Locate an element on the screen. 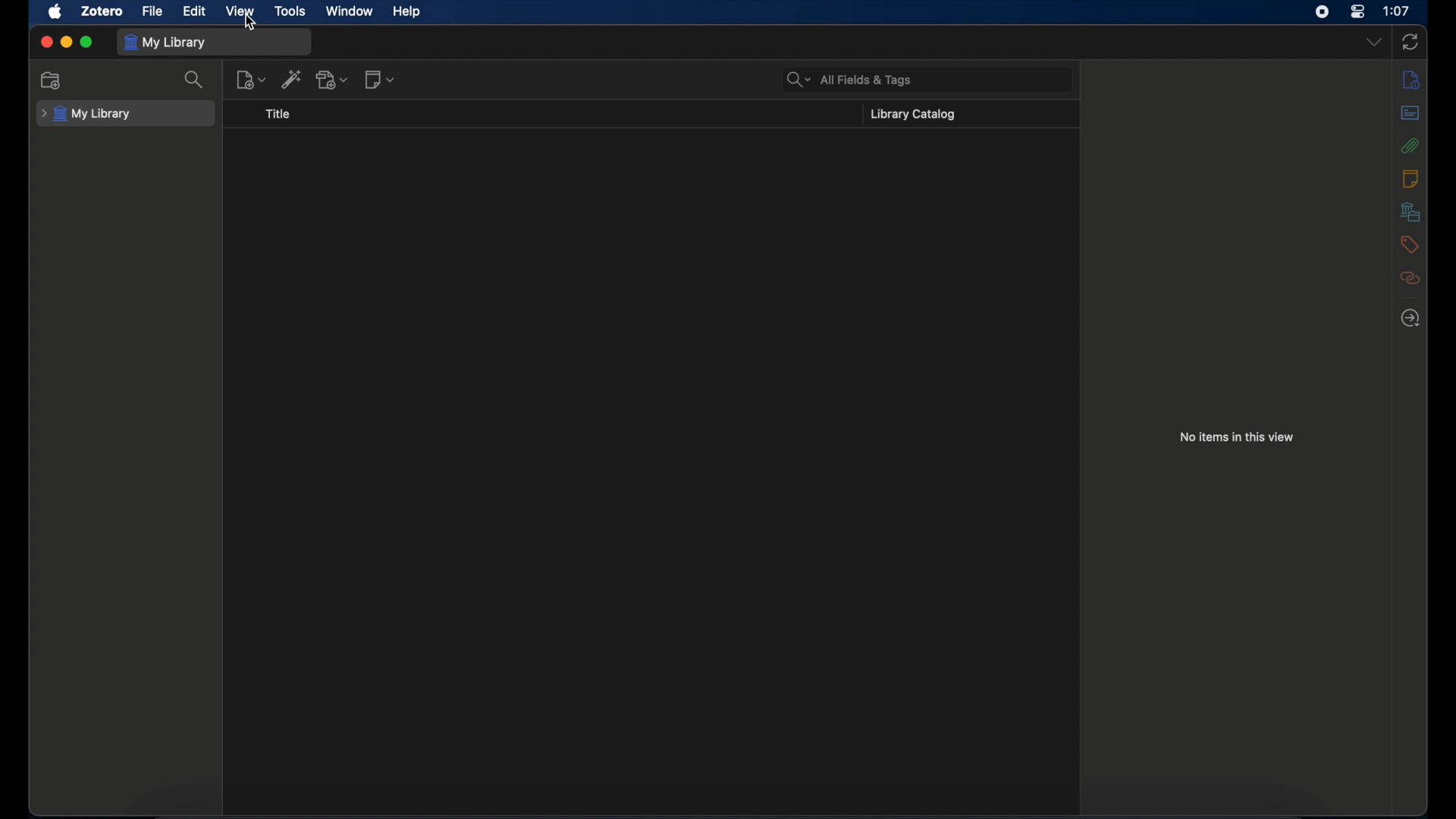 This screenshot has height=819, width=1456. title is located at coordinates (277, 114).